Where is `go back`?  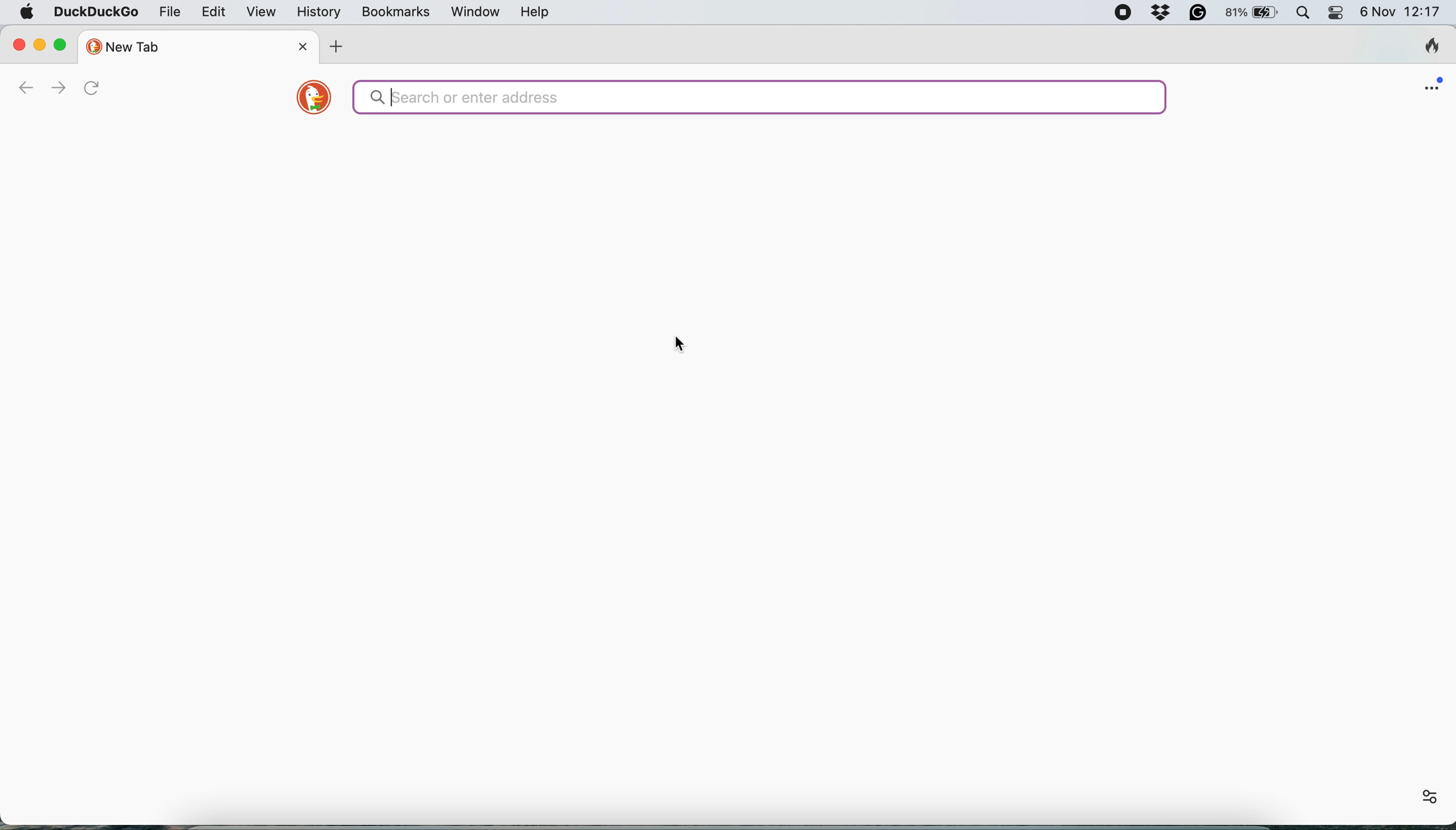 go back is located at coordinates (23, 86).